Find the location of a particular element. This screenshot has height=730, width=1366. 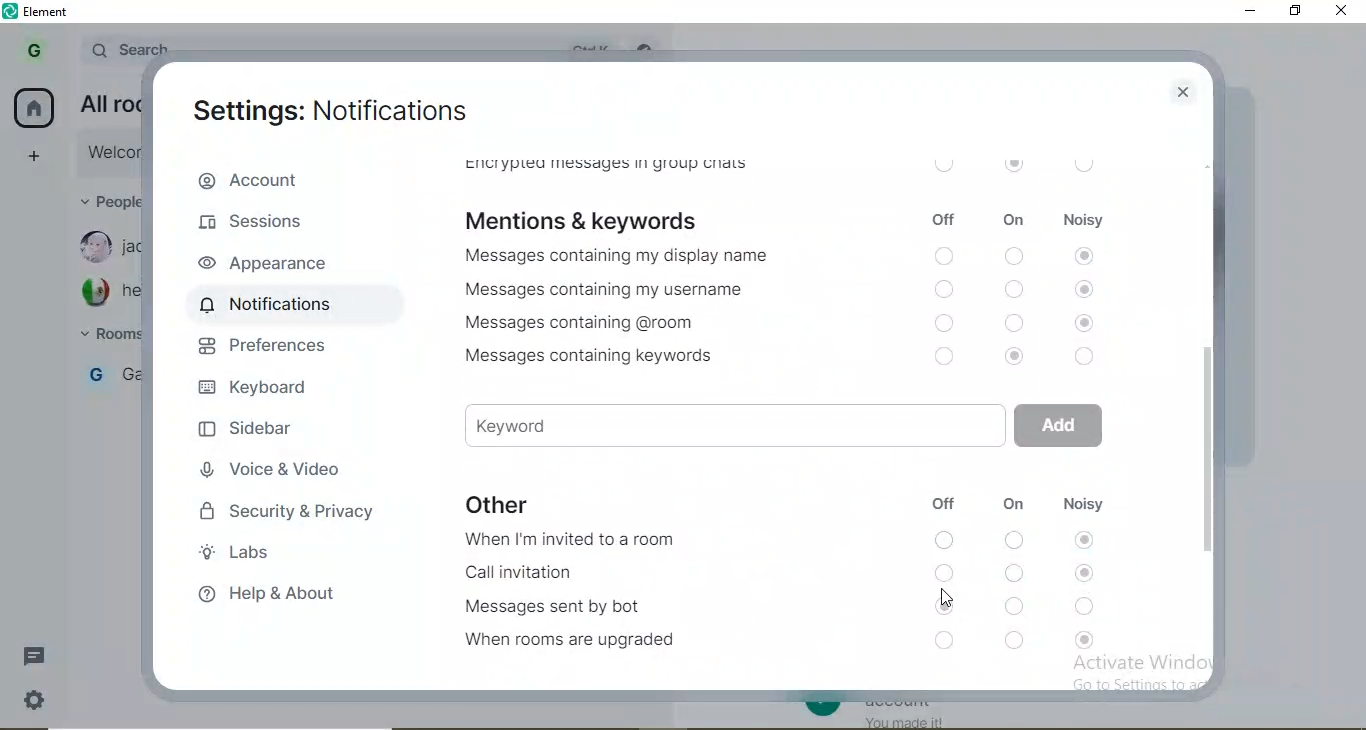

notifications is located at coordinates (282, 304).